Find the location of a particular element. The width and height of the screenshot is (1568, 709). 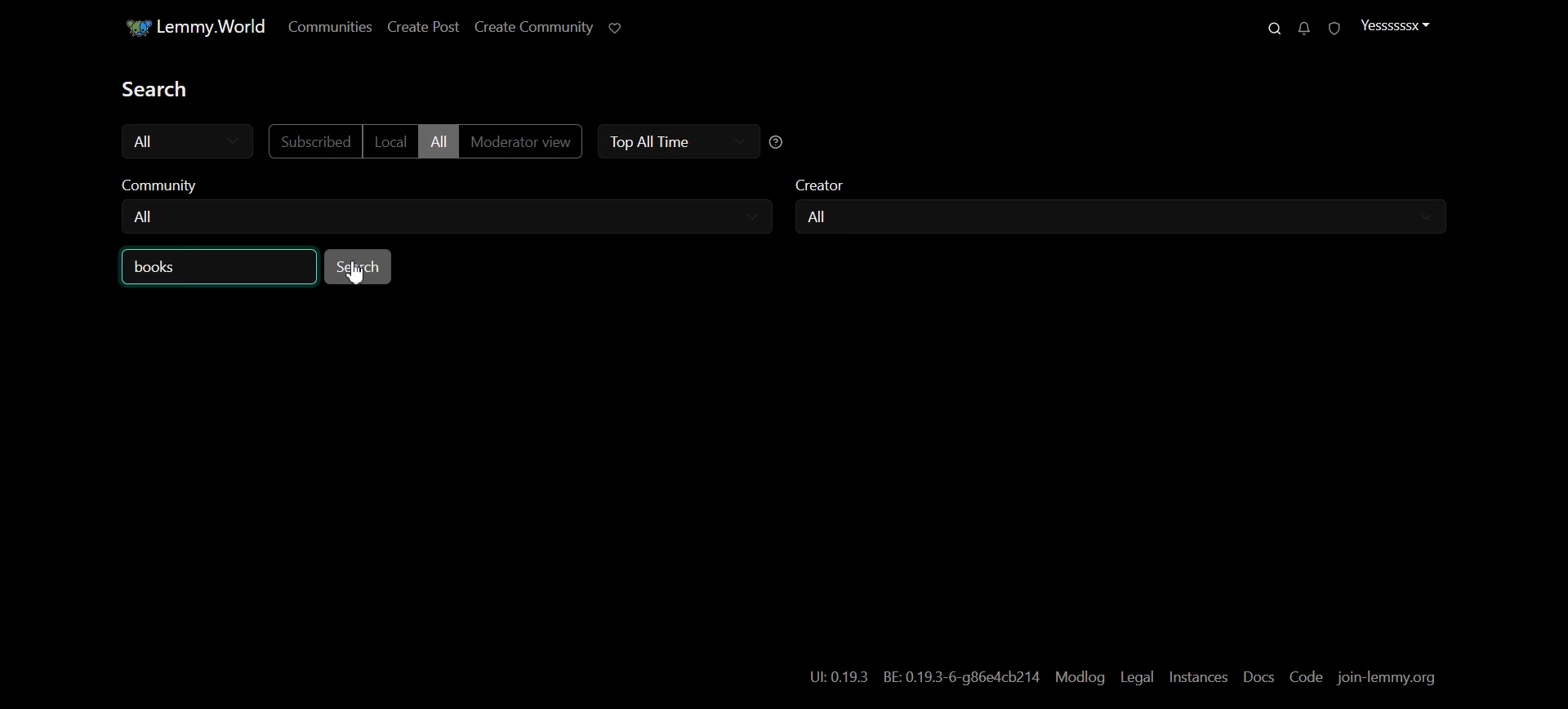

creator is located at coordinates (819, 182).